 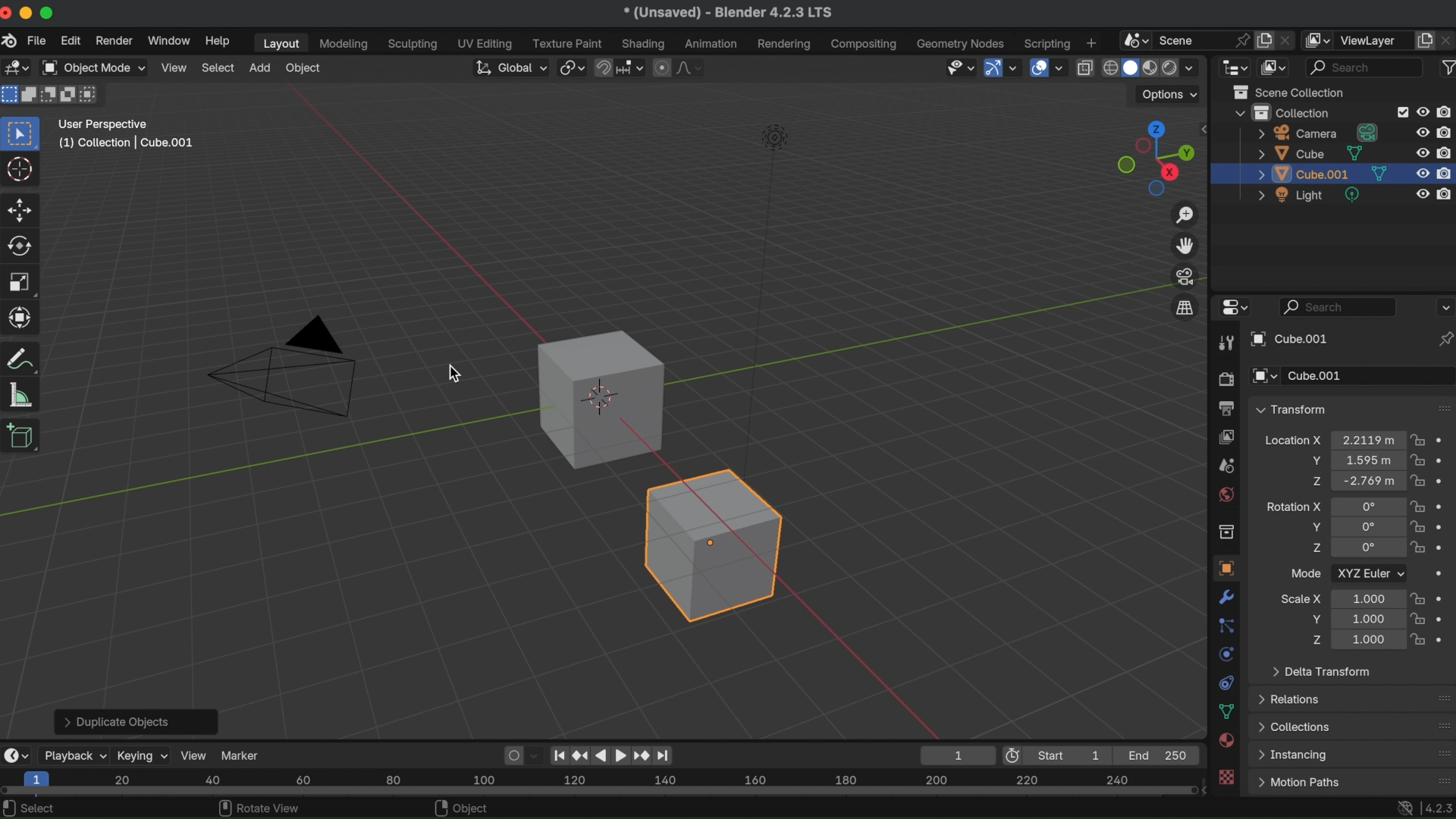 What do you see at coordinates (1444, 306) in the screenshot?
I see `options` at bounding box center [1444, 306].